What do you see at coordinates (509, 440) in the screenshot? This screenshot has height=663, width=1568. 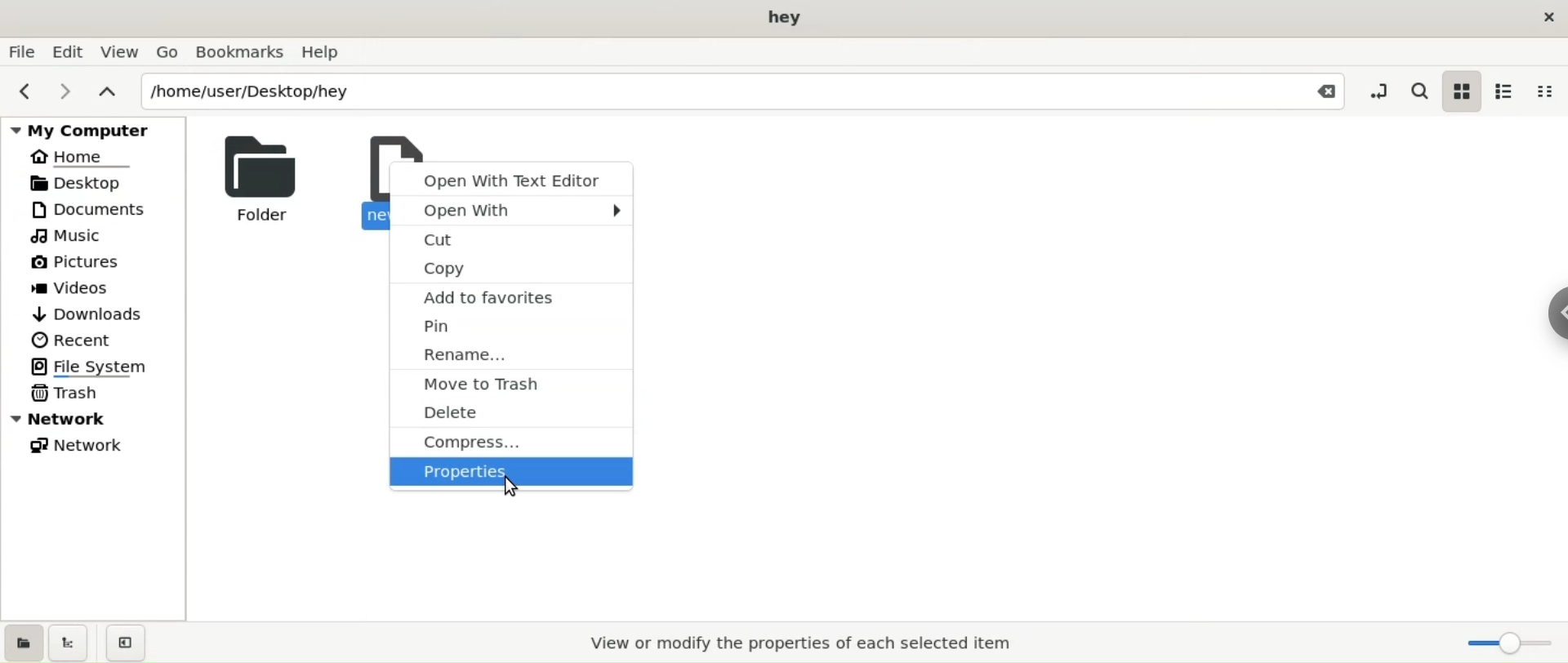 I see `compress` at bounding box center [509, 440].